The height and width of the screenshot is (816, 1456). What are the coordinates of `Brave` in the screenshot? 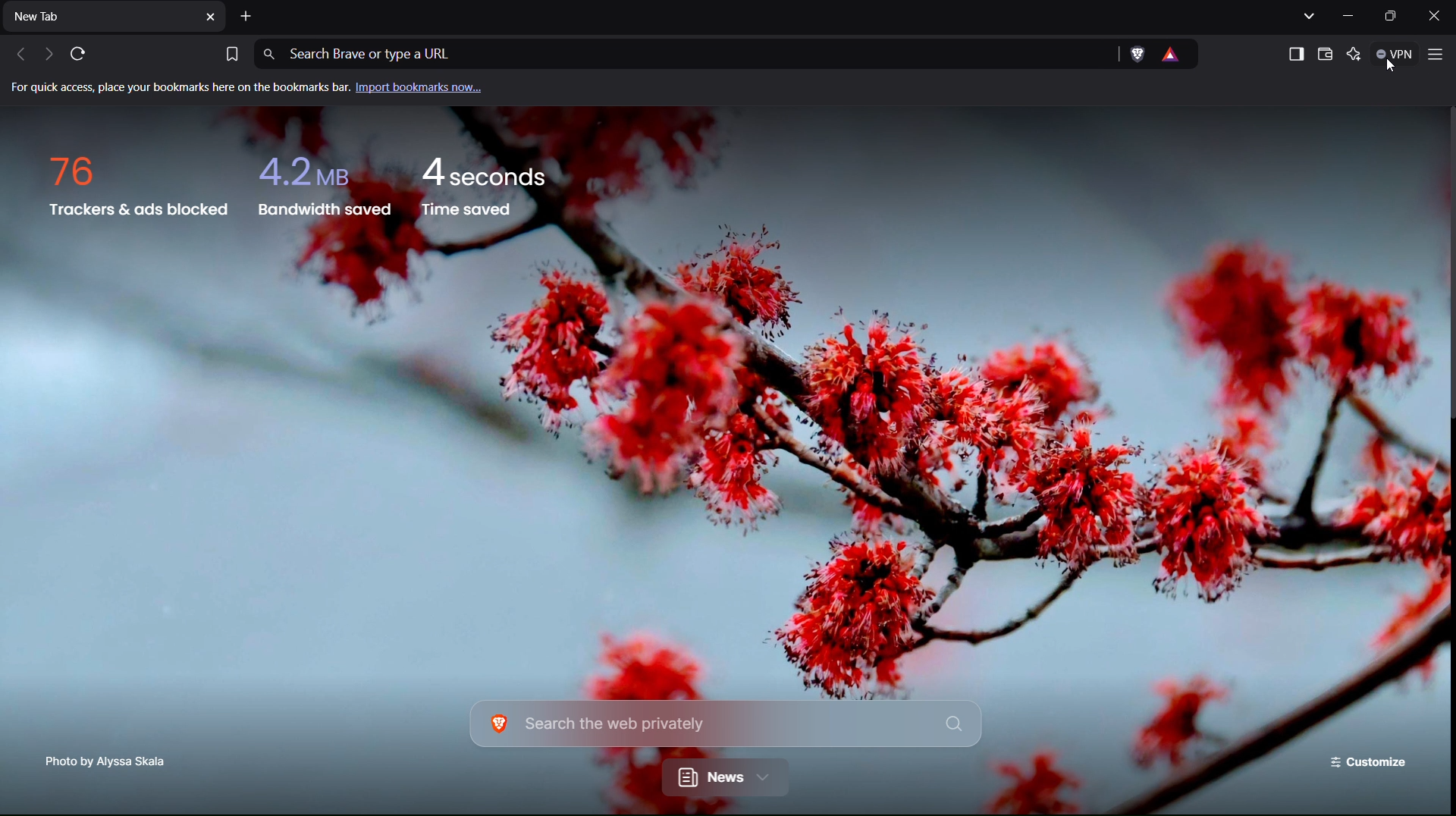 It's located at (1137, 52).